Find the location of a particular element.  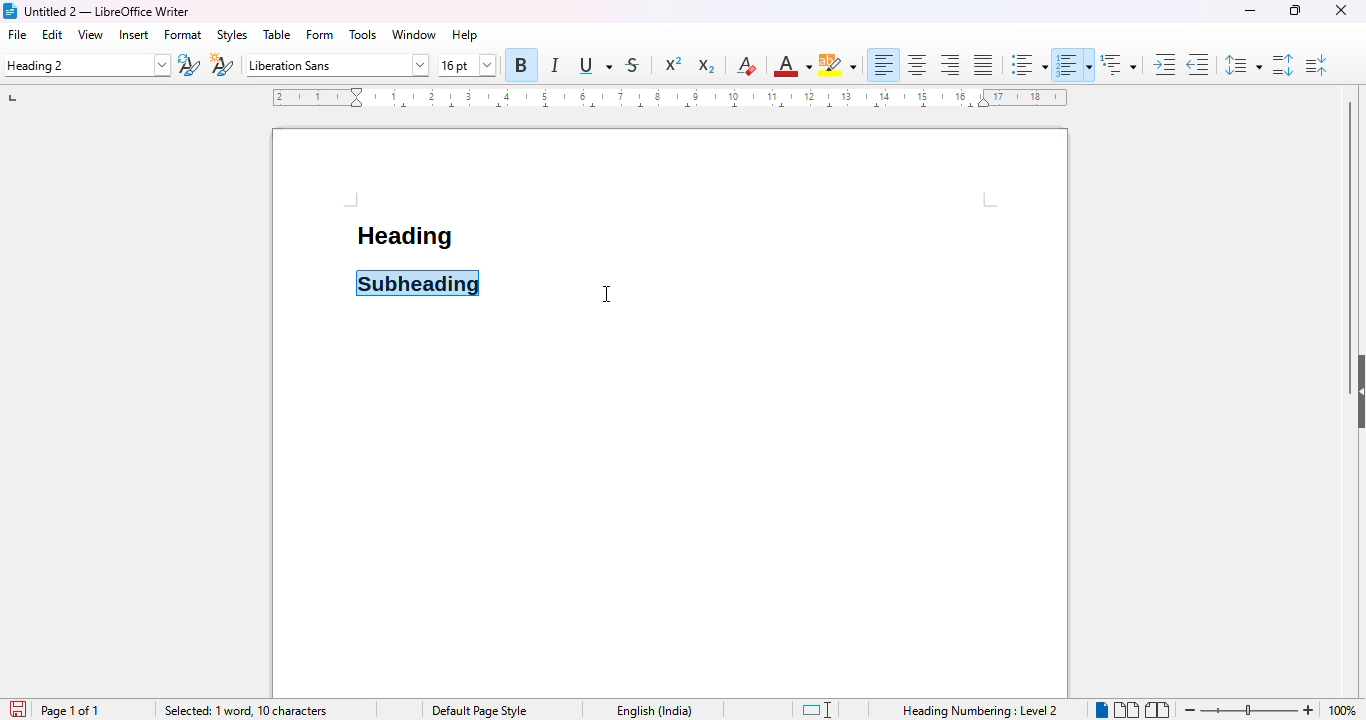

edit is located at coordinates (53, 34).